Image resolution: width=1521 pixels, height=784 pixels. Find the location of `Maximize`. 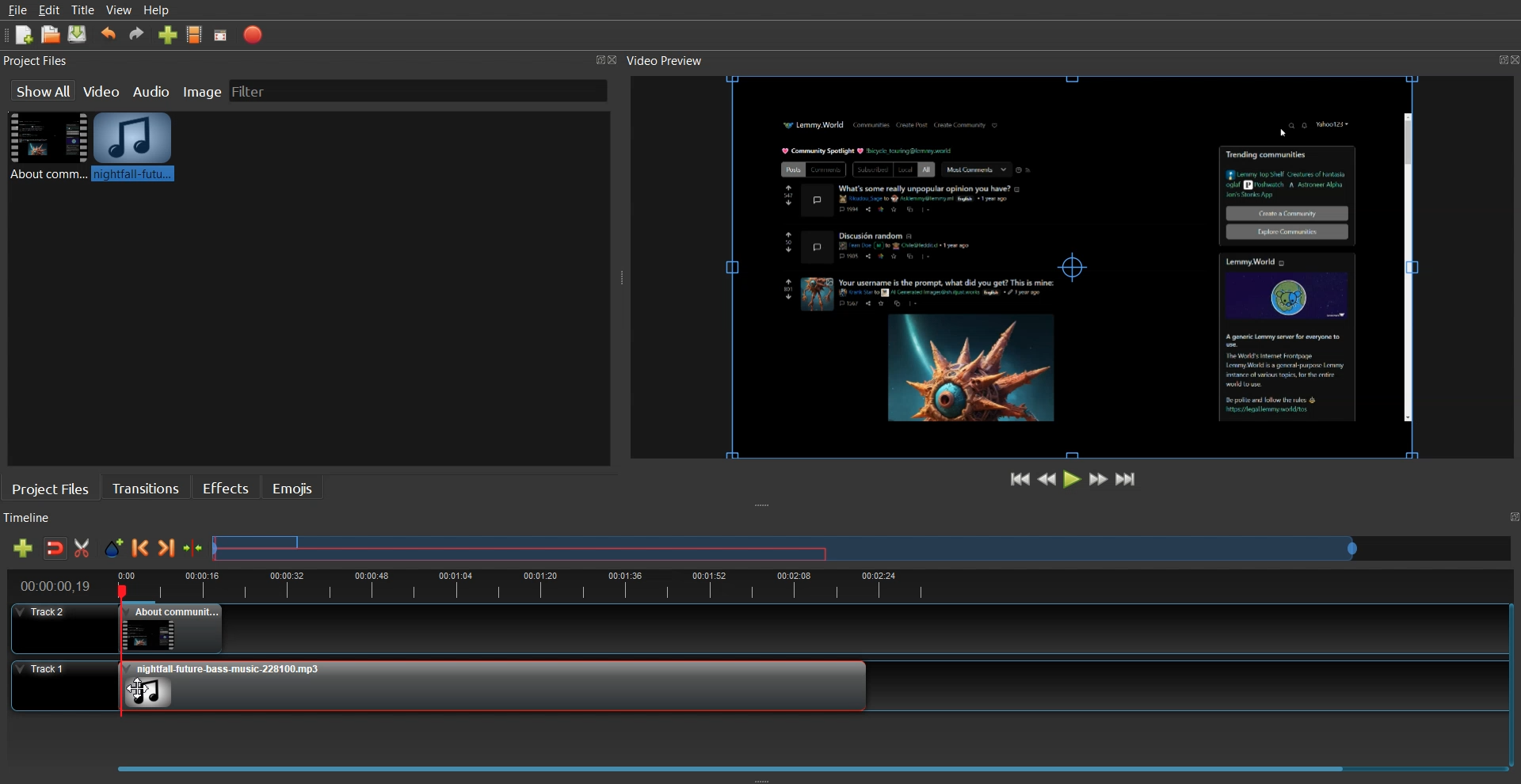

Maximize is located at coordinates (599, 59).